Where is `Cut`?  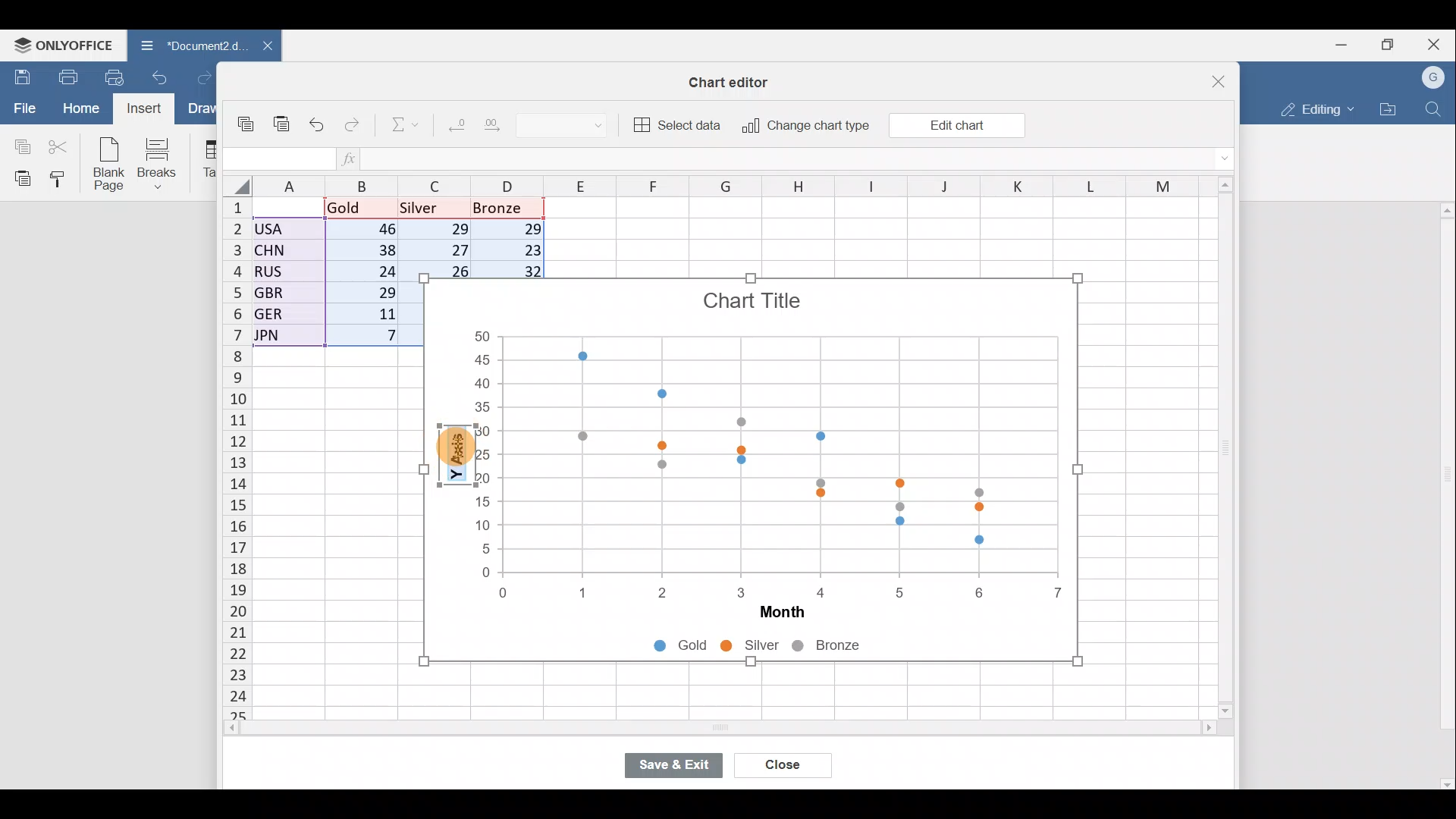
Cut is located at coordinates (61, 146).